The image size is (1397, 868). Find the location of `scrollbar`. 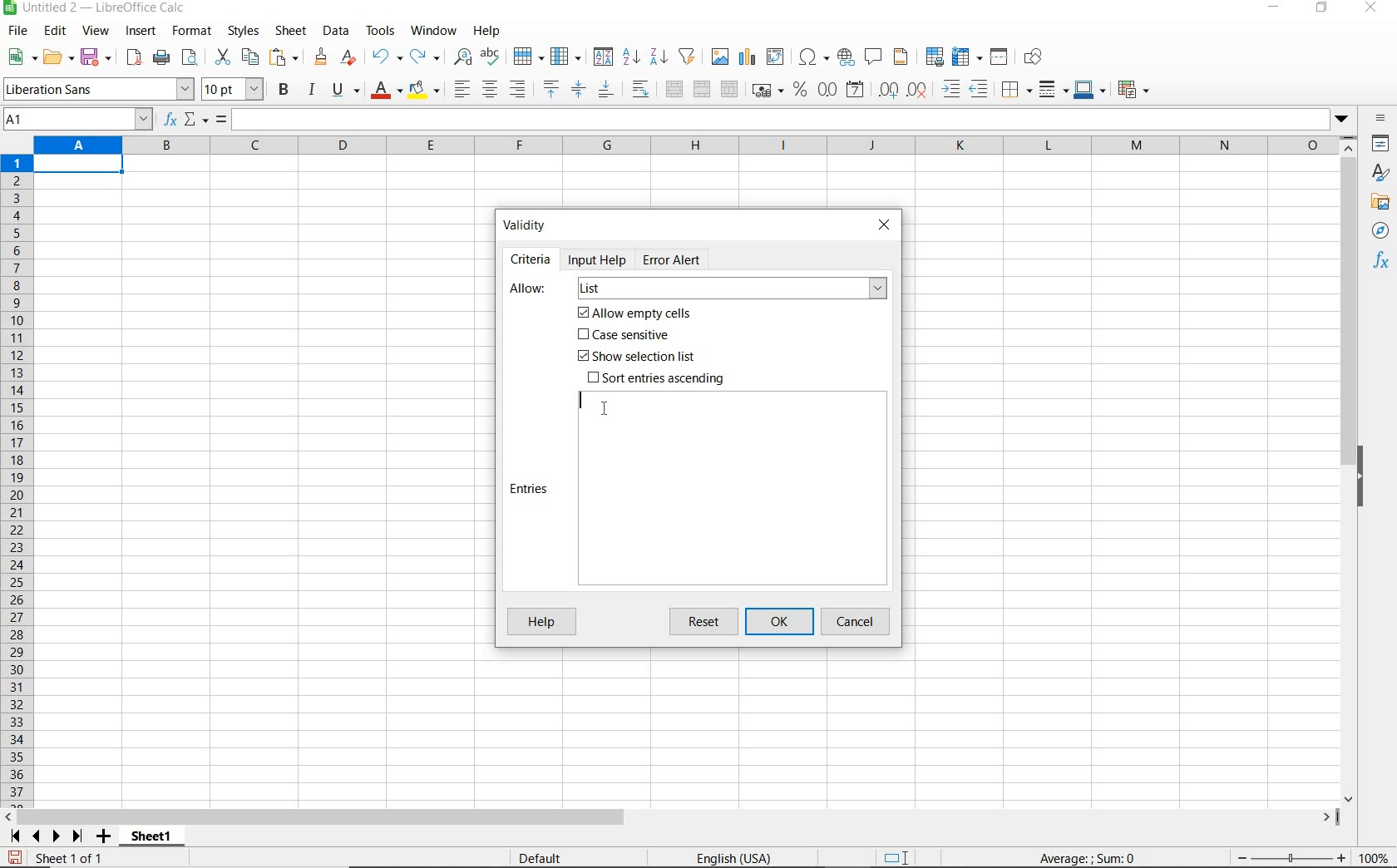

scrollbar is located at coordinates (1350, 470).